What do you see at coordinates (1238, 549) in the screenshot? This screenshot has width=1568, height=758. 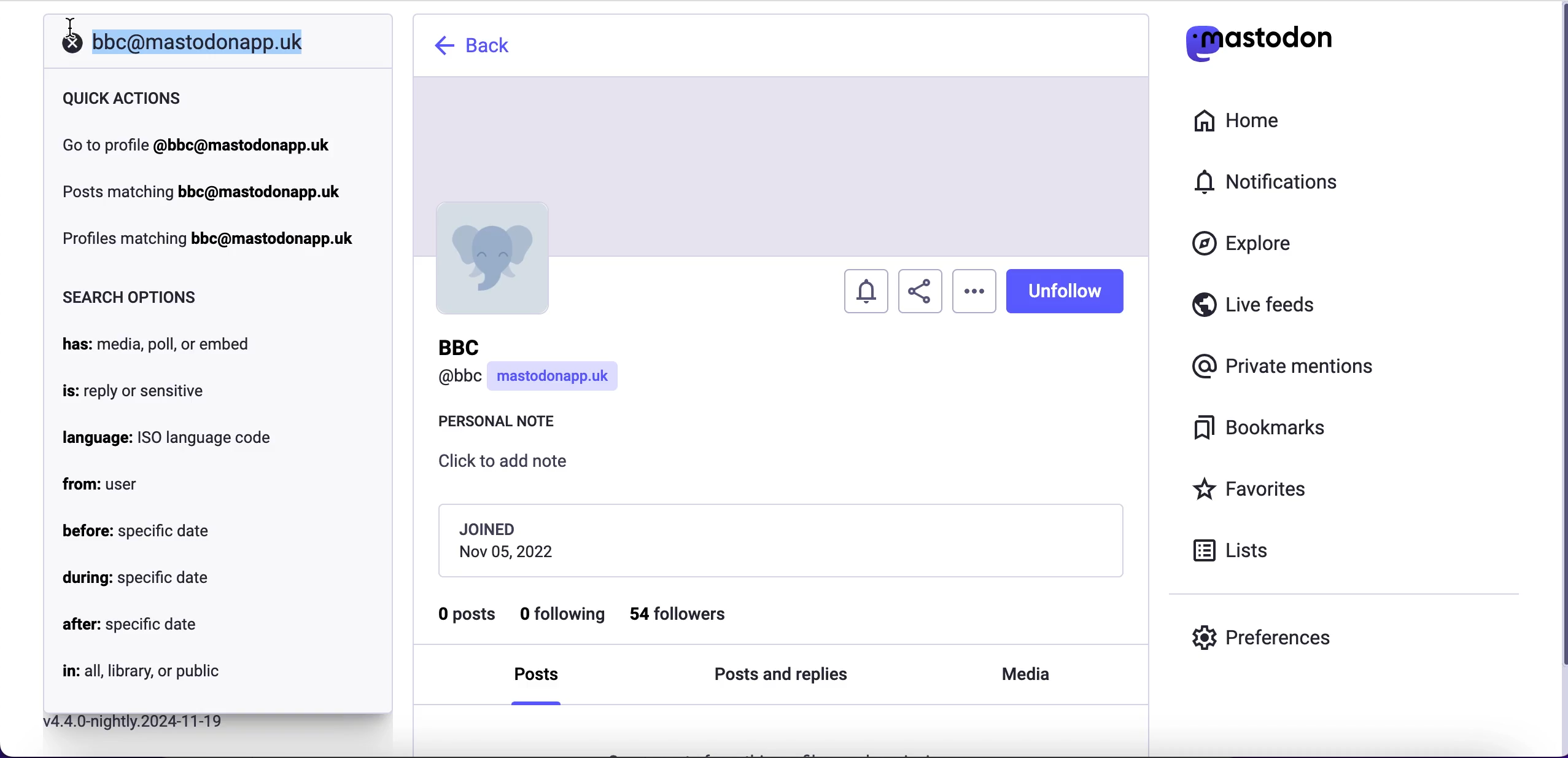 I see `lists` at bounding box center [1238, 549].